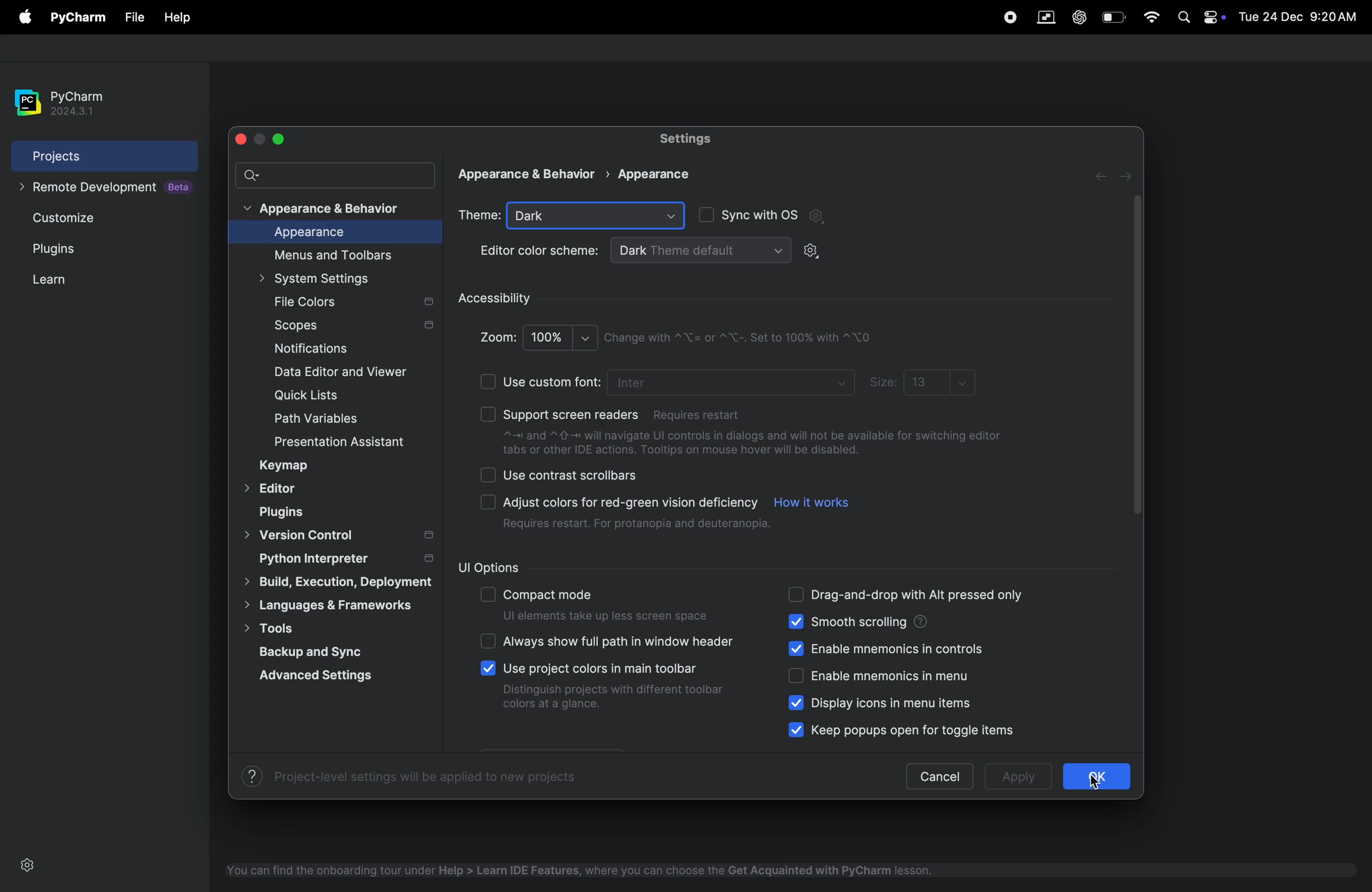 This screenshot has width=1372, height=892. I want to click on adjust screen colors, so click(636, 512).